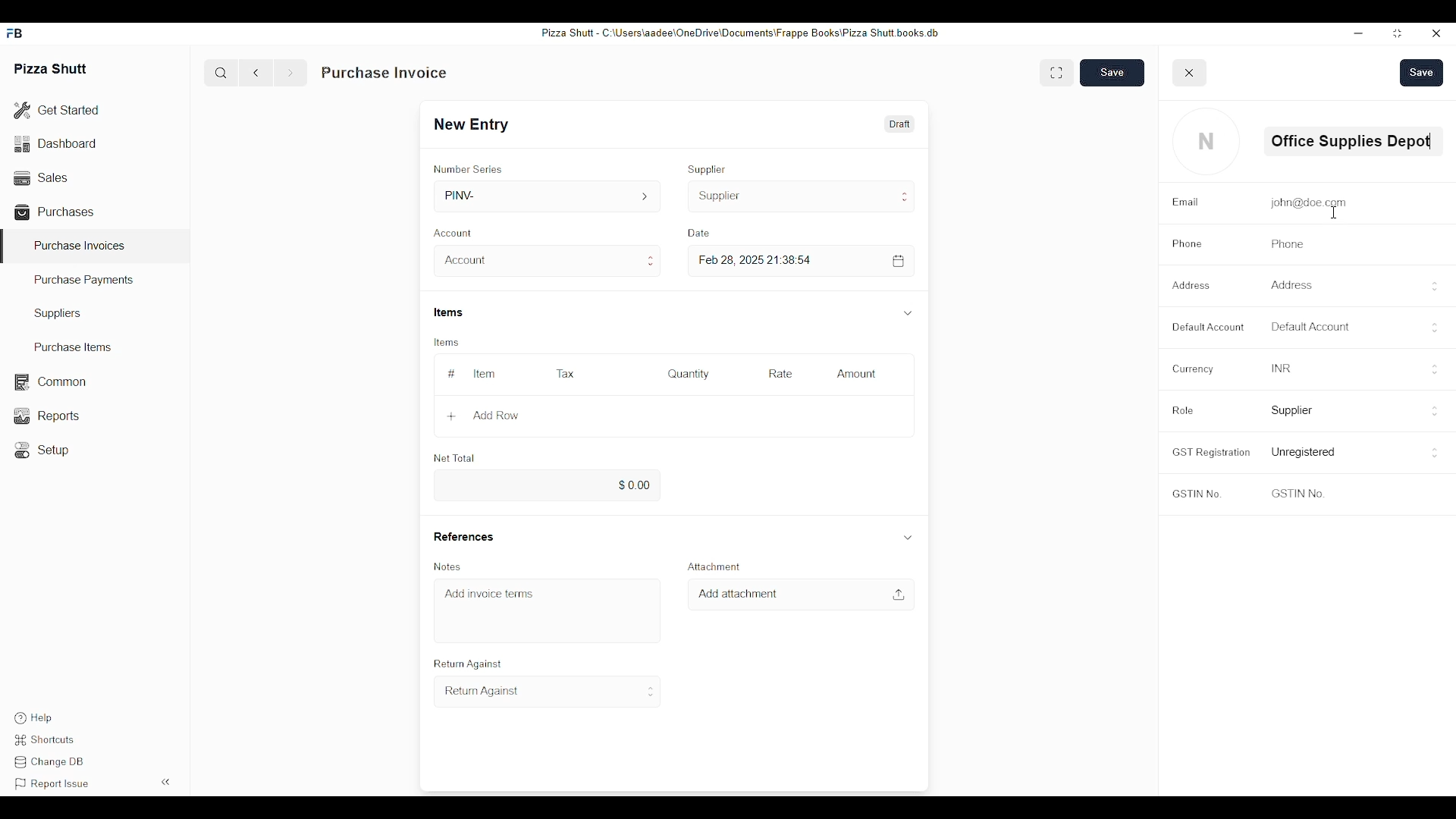 This screenshot has height=819, width=1456. What do you see at coordinates (456, 231) in the screenshot?
I see `Account` at bounding box center [456, 231].